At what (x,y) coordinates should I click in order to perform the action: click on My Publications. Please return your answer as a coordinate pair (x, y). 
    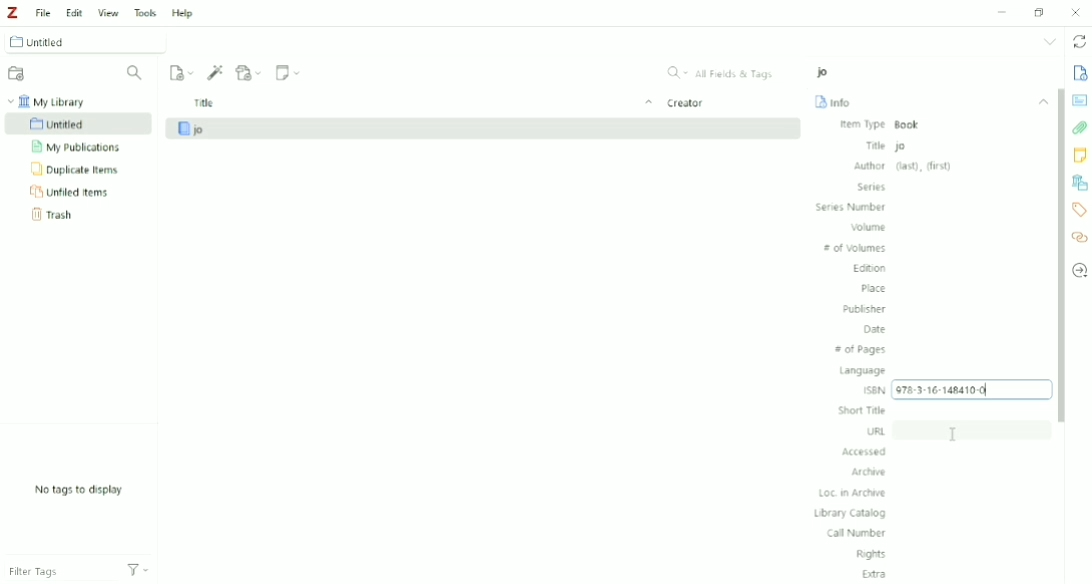
    Looking at the image, I should click on (82, 147).